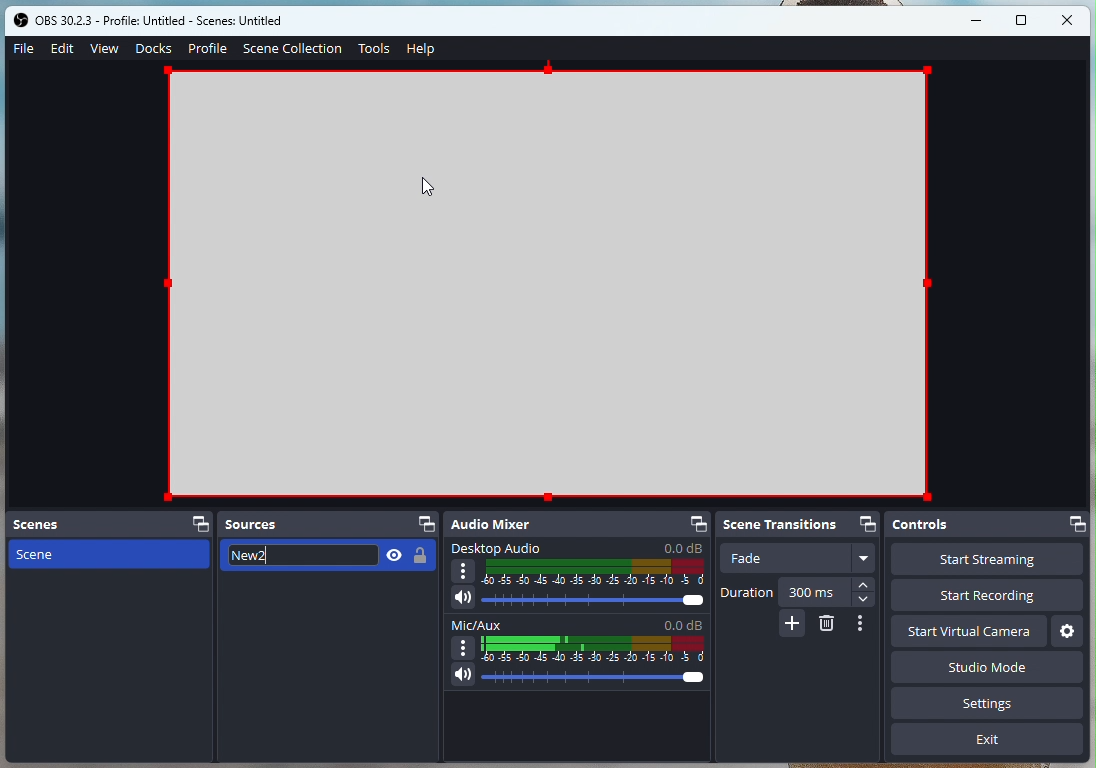  Describe the element at coordinates (105, 47) in the screenshot. I see `View` at that location.